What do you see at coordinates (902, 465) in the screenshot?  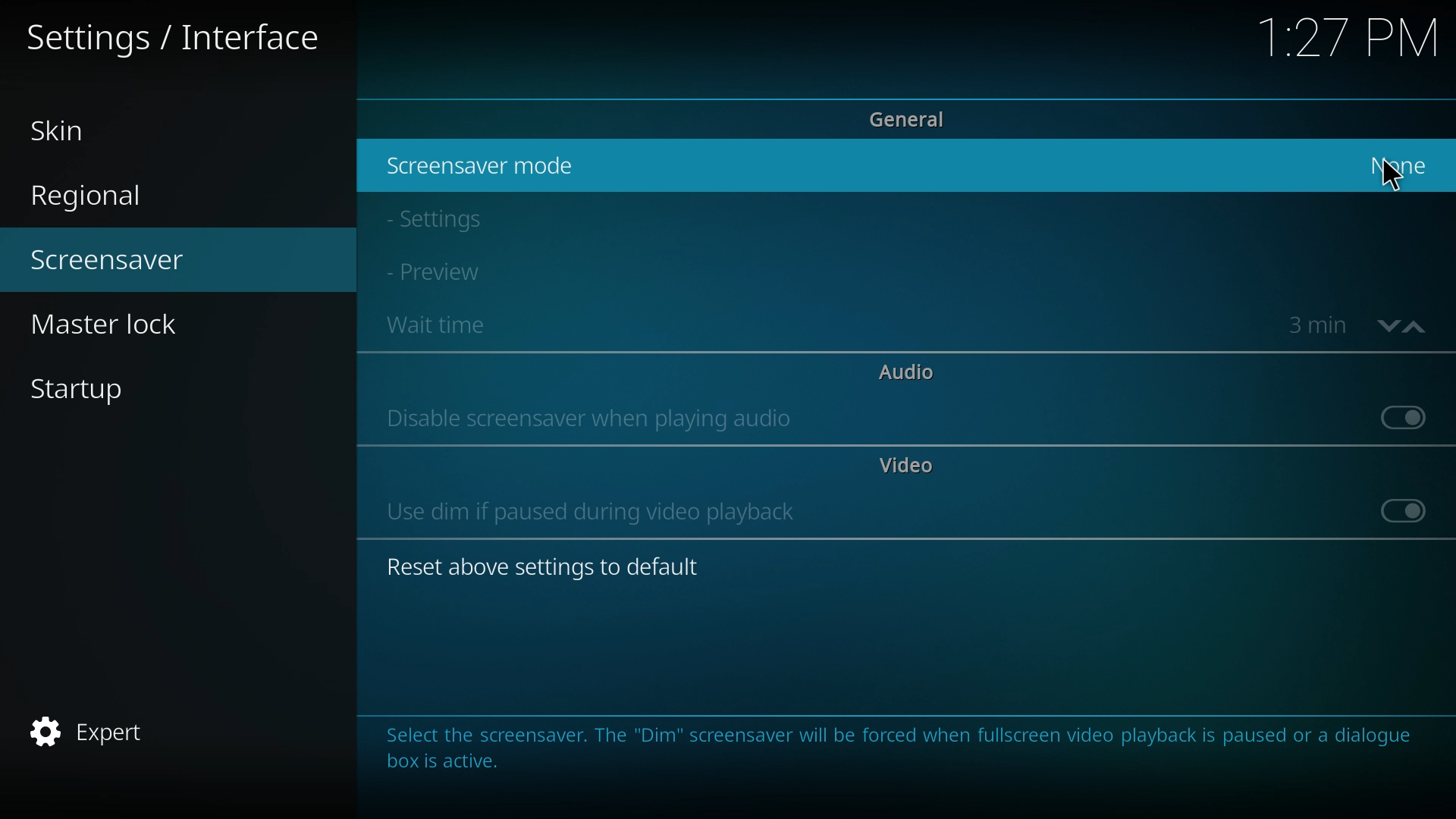 I see `video` at bounding box center [902, 465].